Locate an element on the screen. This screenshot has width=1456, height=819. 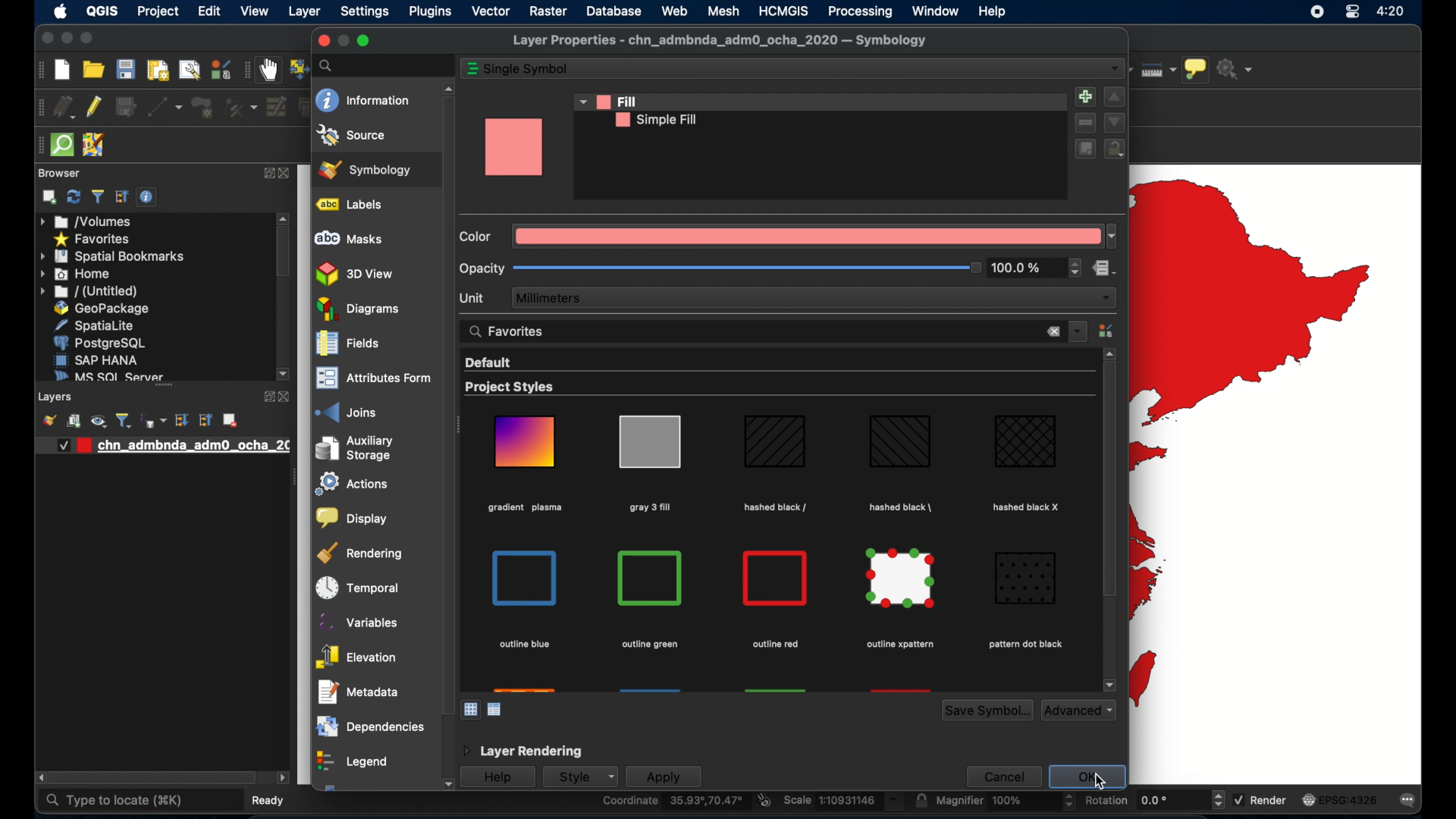
layer 1 is located at coordinates (169, 446).